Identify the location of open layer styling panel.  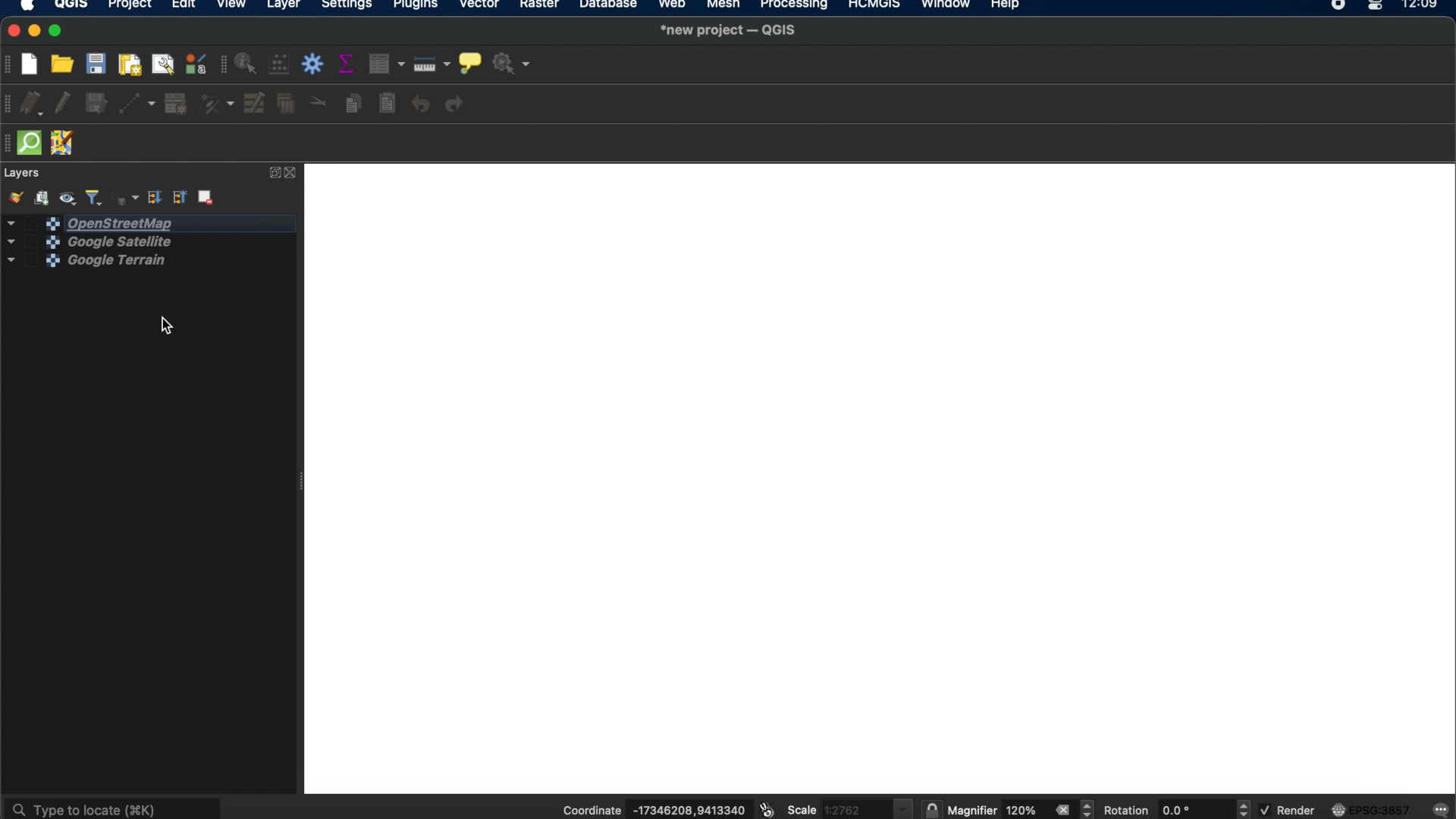
(14, 197).